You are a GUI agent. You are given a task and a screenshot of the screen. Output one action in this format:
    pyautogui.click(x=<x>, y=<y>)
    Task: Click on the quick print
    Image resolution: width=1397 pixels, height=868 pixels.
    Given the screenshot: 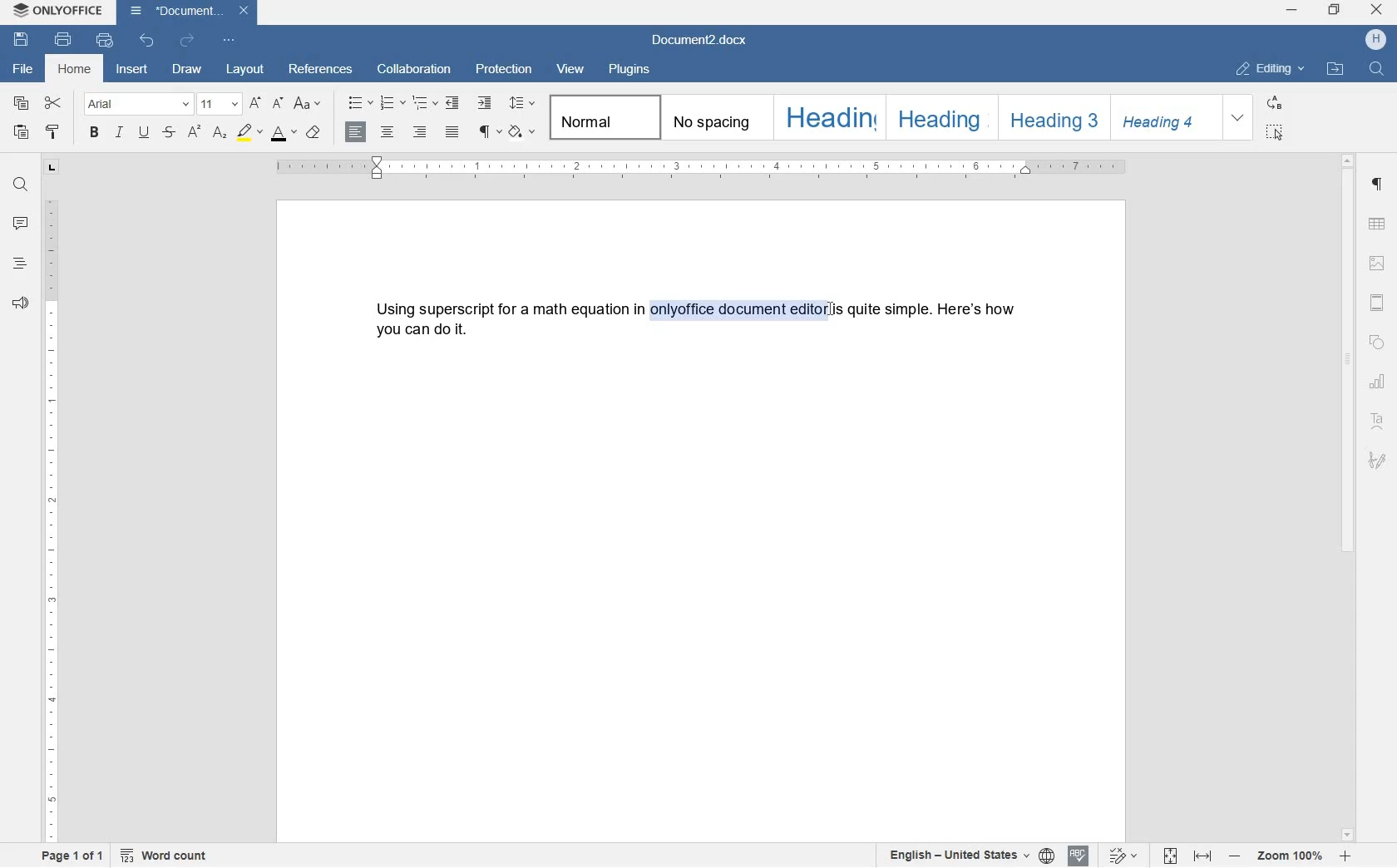 What is the action you would take?
    pyautogui.click(x=103, y=40)
    